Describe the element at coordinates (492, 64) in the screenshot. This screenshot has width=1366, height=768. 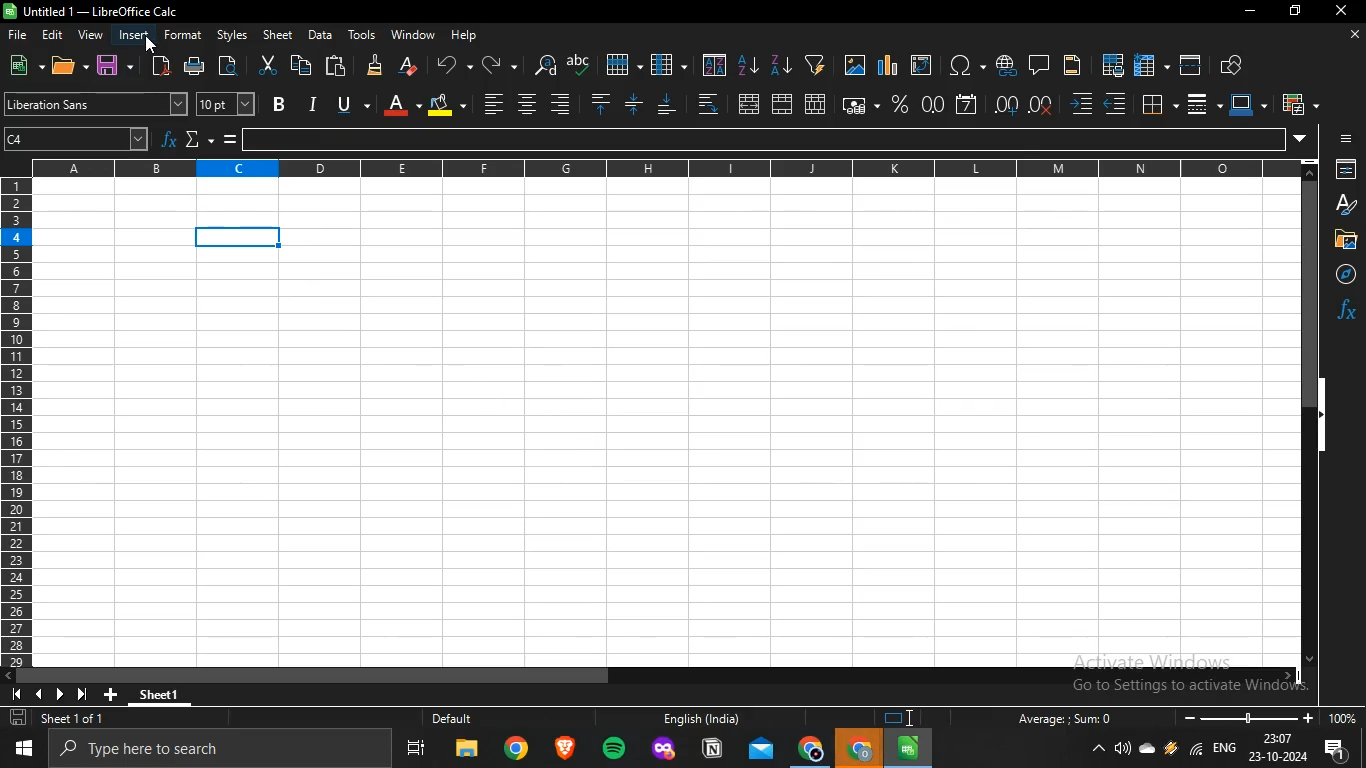
I see `redo` at that location.